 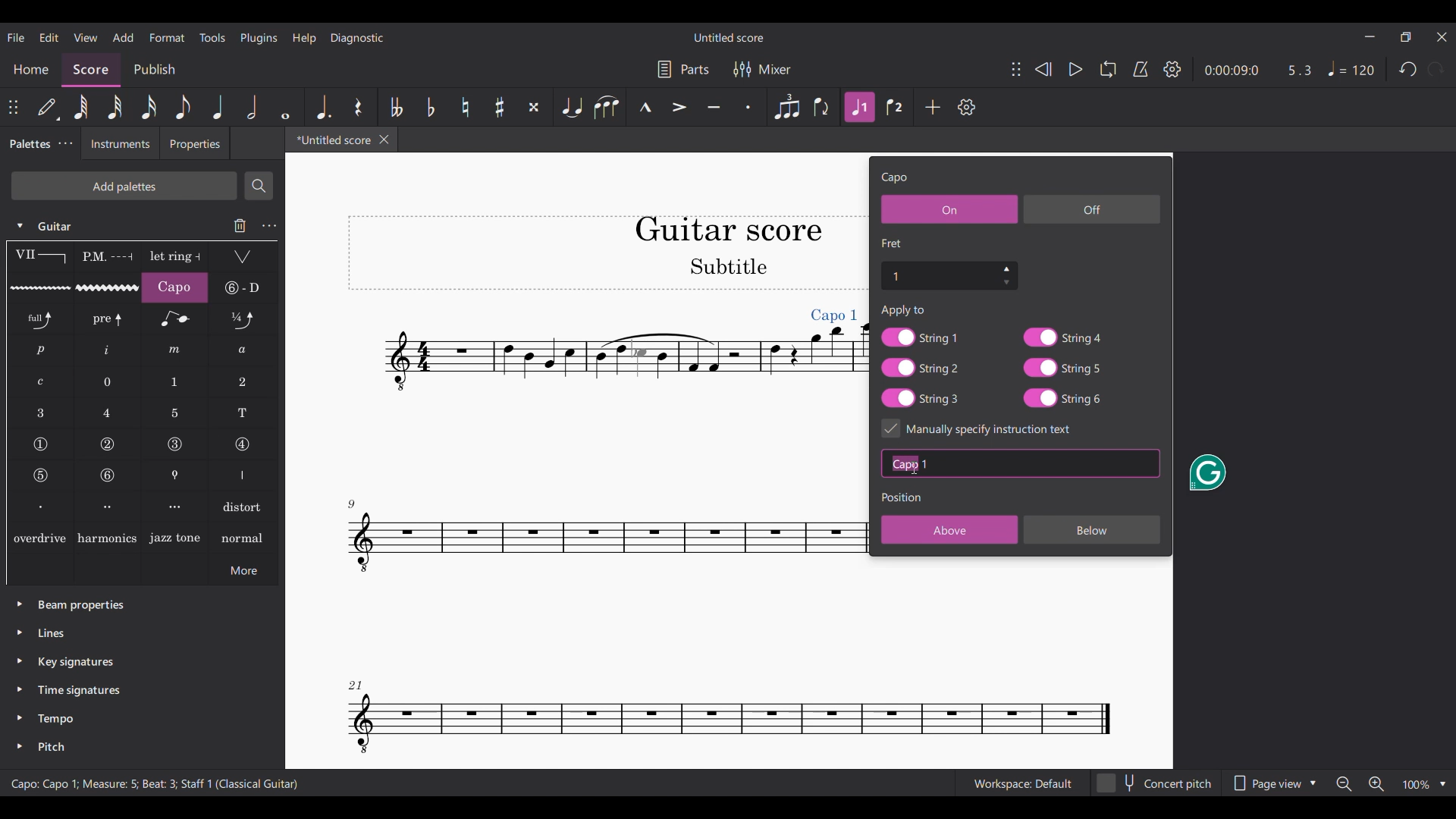 What do you see at coordinates (243, 318) in the screenshot?
I see `Slight bend` at bounding box center [243, 318].